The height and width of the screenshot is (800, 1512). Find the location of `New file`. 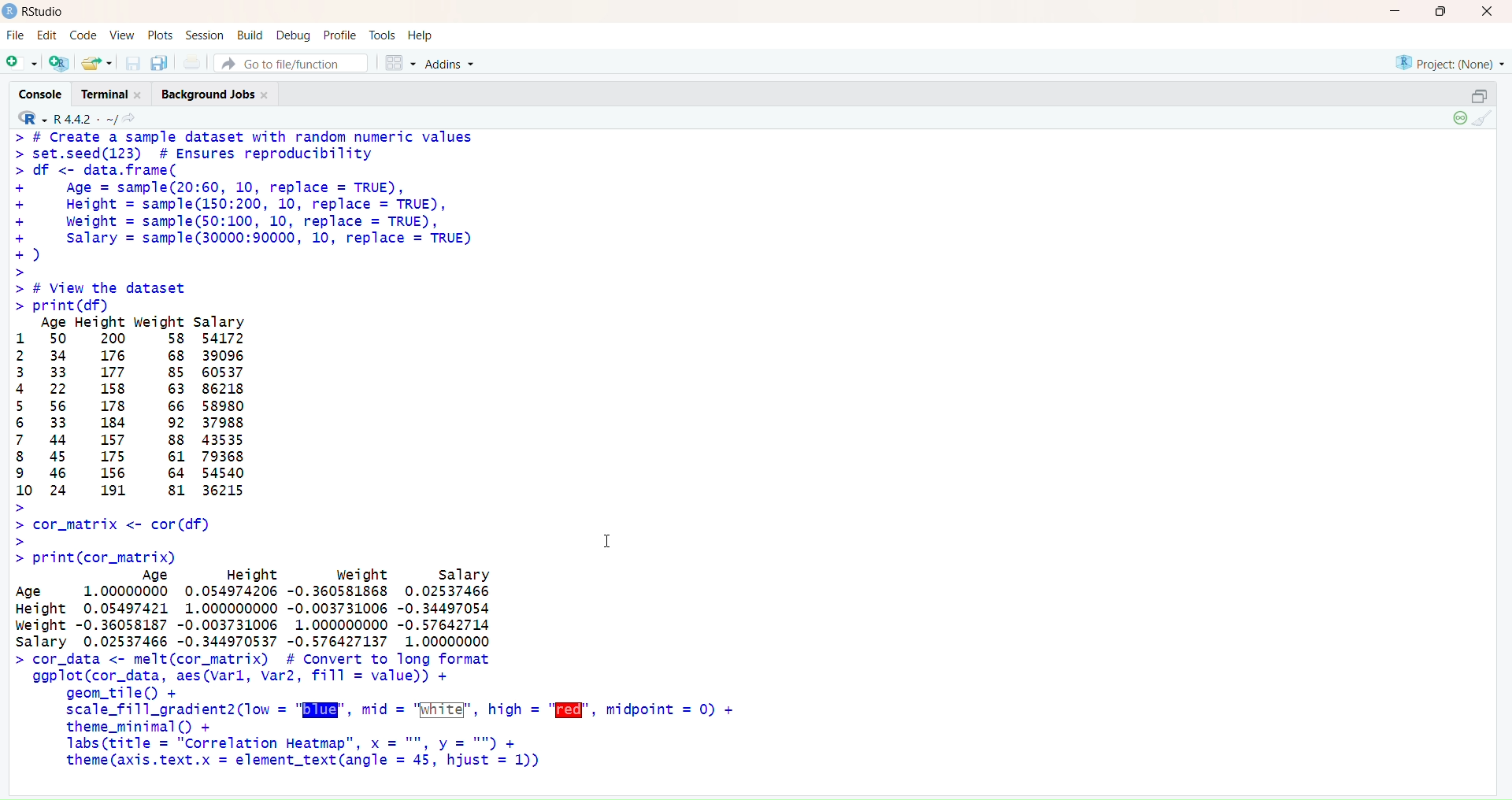

New file is located at coordinates (22, 61).